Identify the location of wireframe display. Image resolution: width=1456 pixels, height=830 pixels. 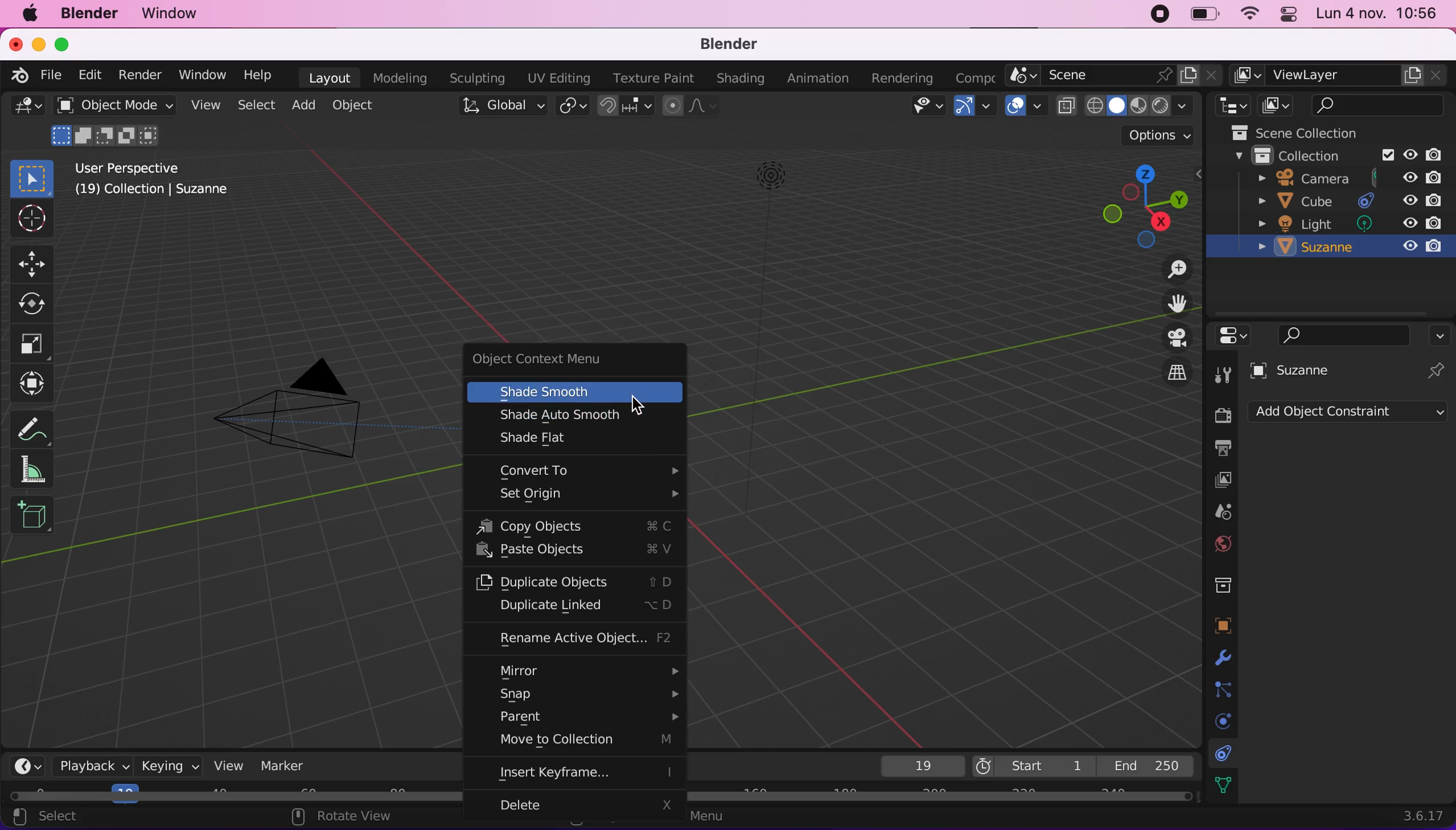
(1096, 107).